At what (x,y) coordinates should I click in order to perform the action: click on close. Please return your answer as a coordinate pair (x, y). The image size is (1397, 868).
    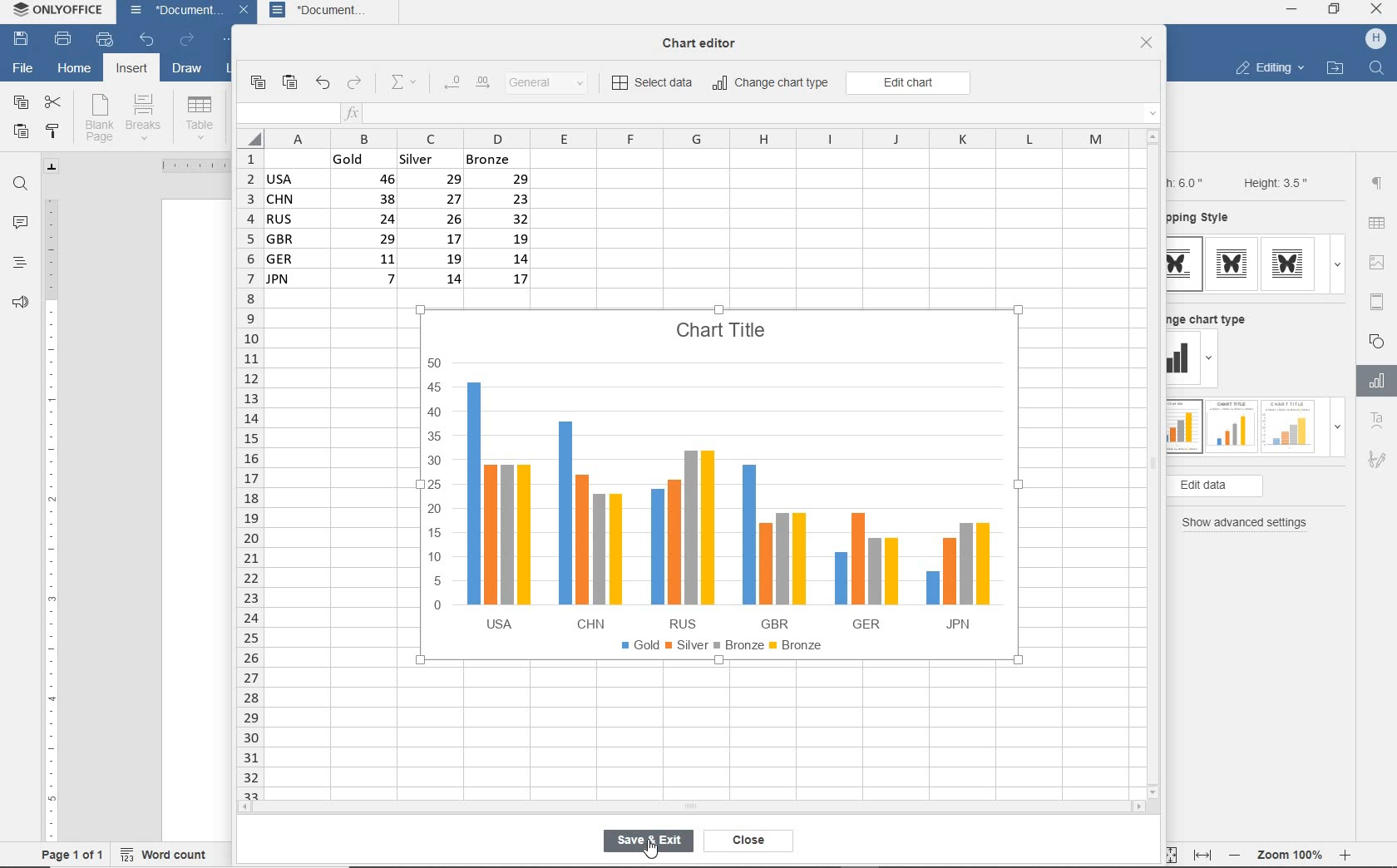
    Looking at the image, I should click on (1147, 44).